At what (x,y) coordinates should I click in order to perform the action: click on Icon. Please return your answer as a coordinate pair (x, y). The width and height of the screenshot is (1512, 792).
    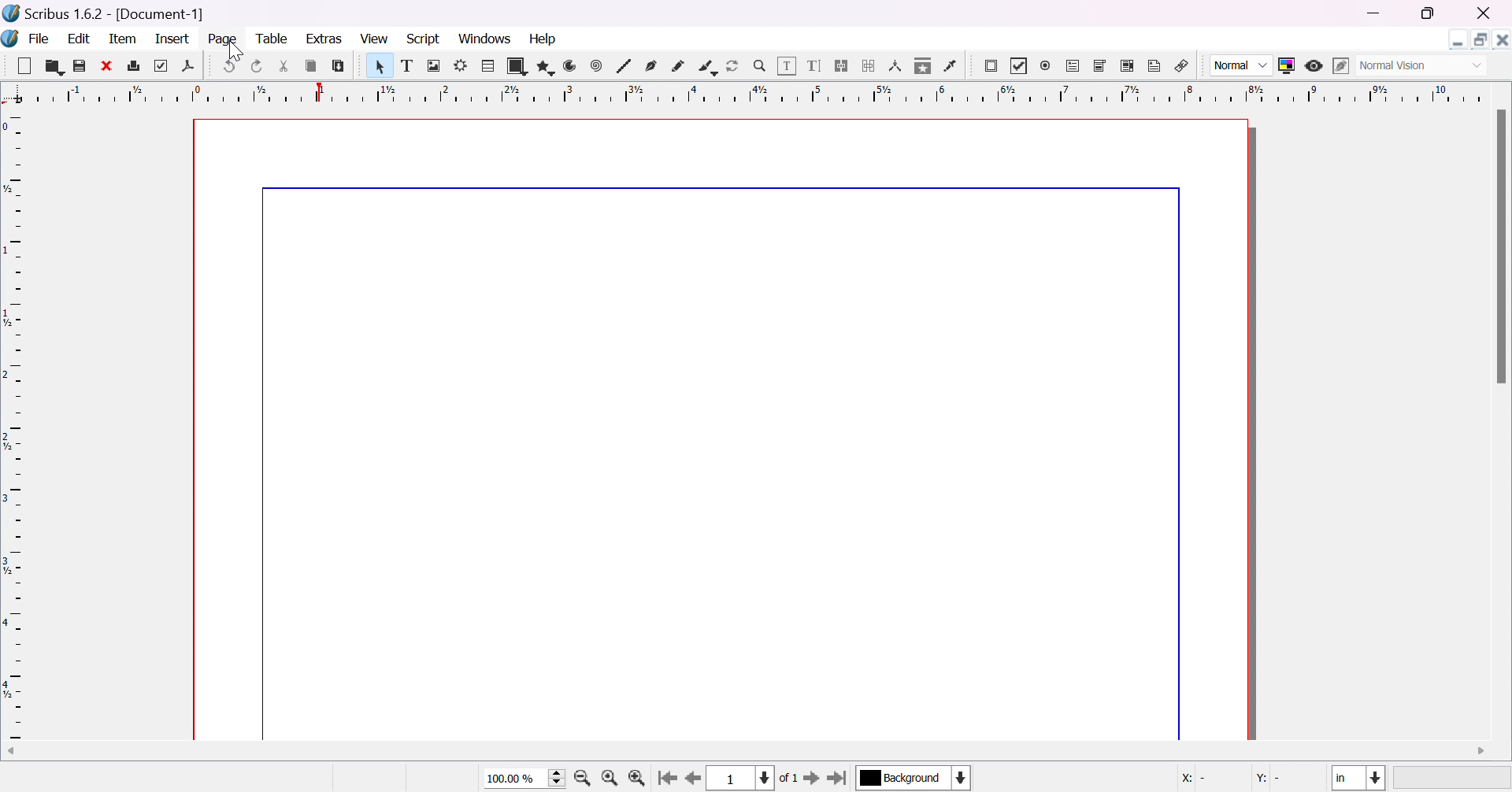
    Looking at the image, I should click on (11, 39).